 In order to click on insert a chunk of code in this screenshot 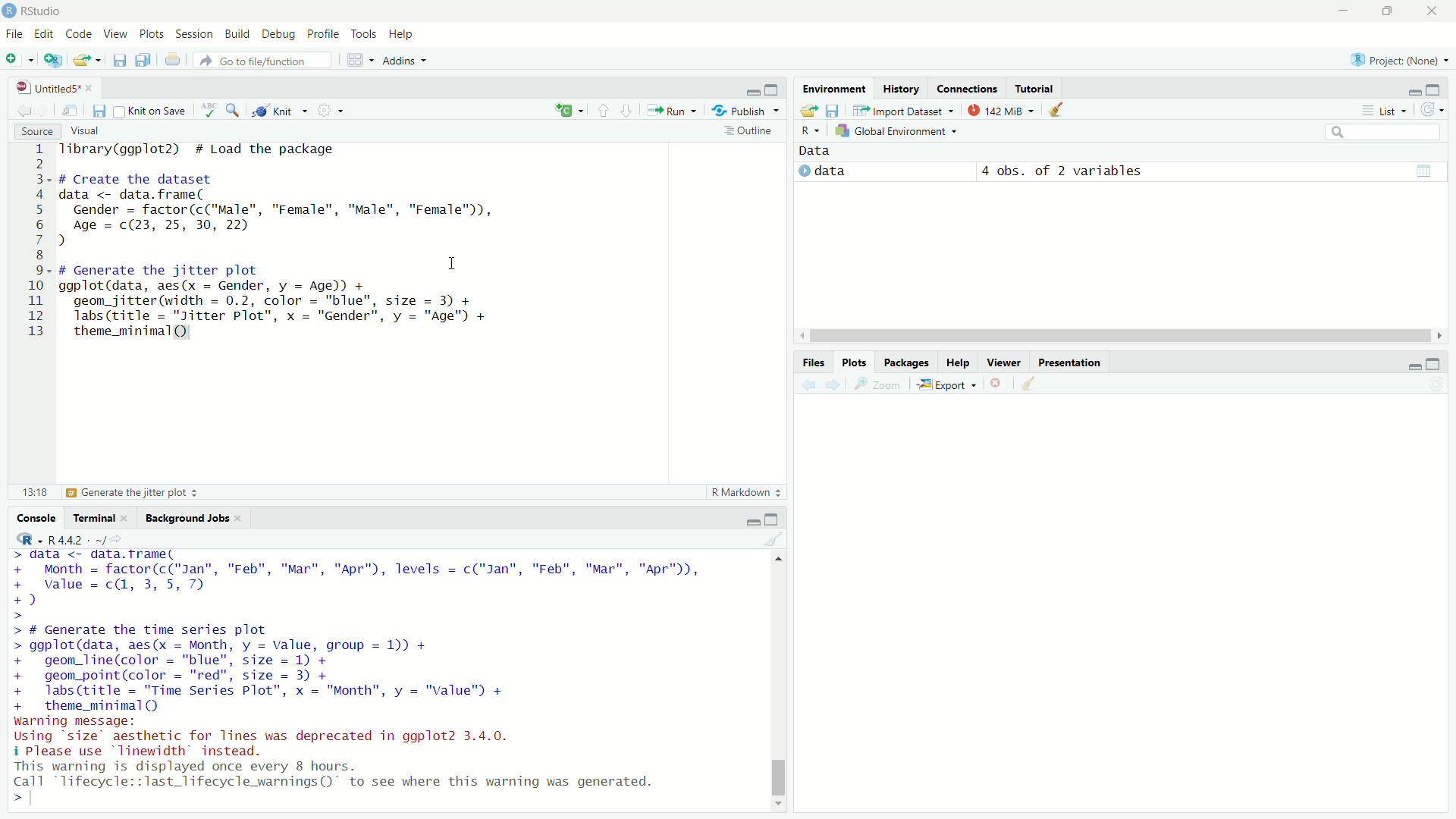, I will do `click(569, 108)`.